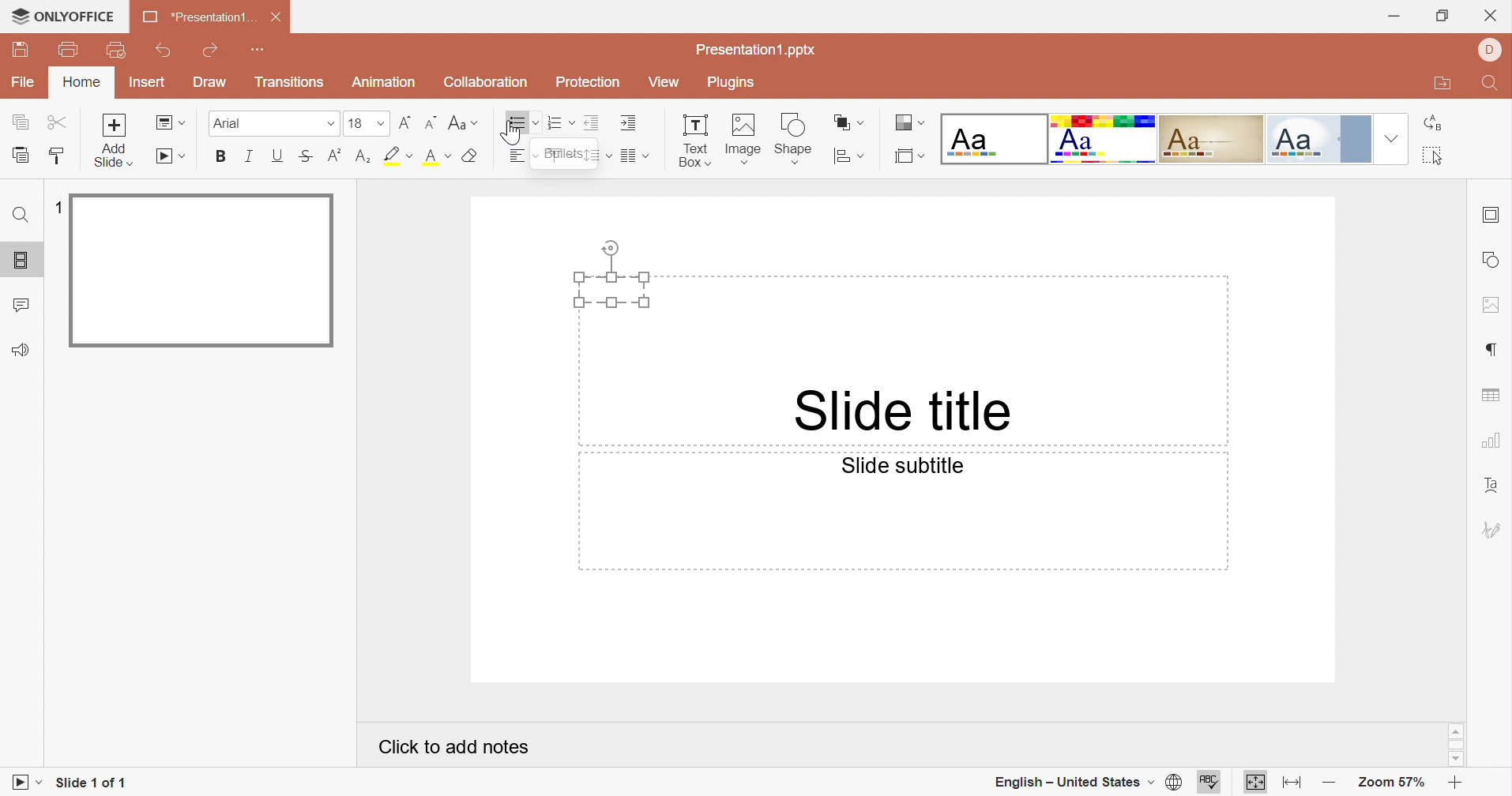 The image size is (1512, 796). Describe the element at coordinates (1214, 783) in the screenshot. I see `spell checking` at that location.